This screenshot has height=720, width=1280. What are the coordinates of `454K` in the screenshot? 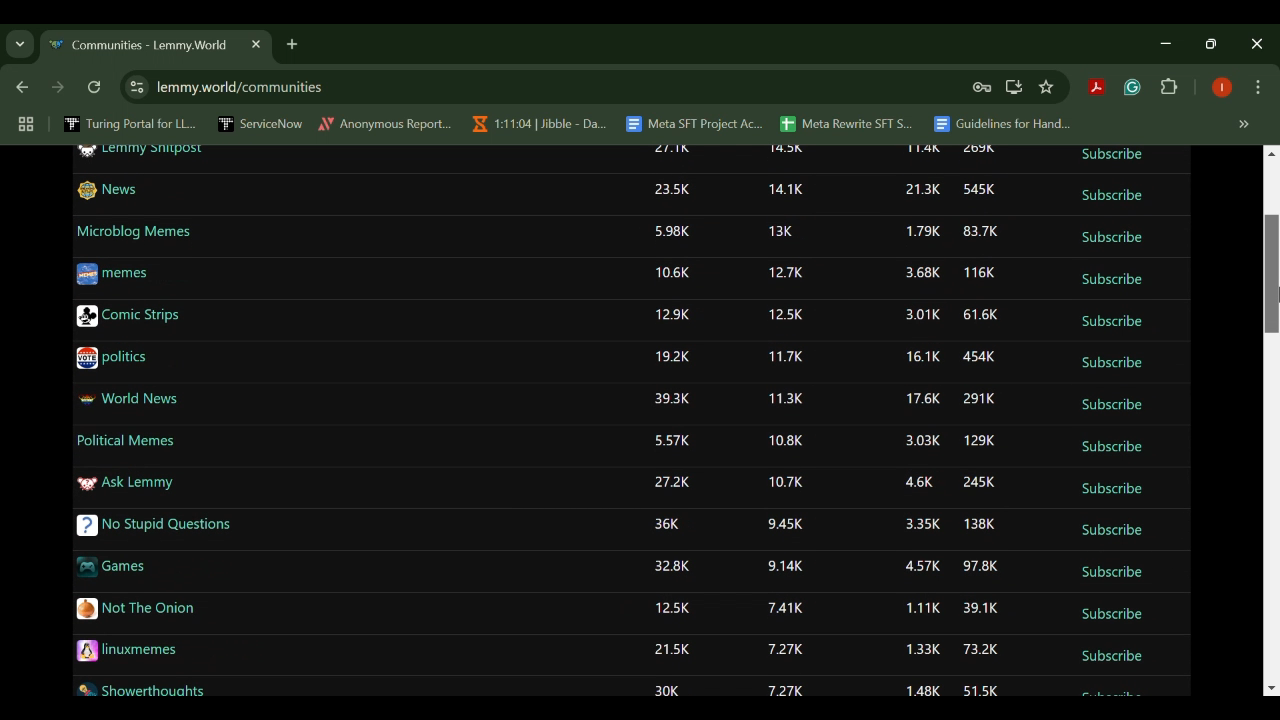 It's located at (980, 358).